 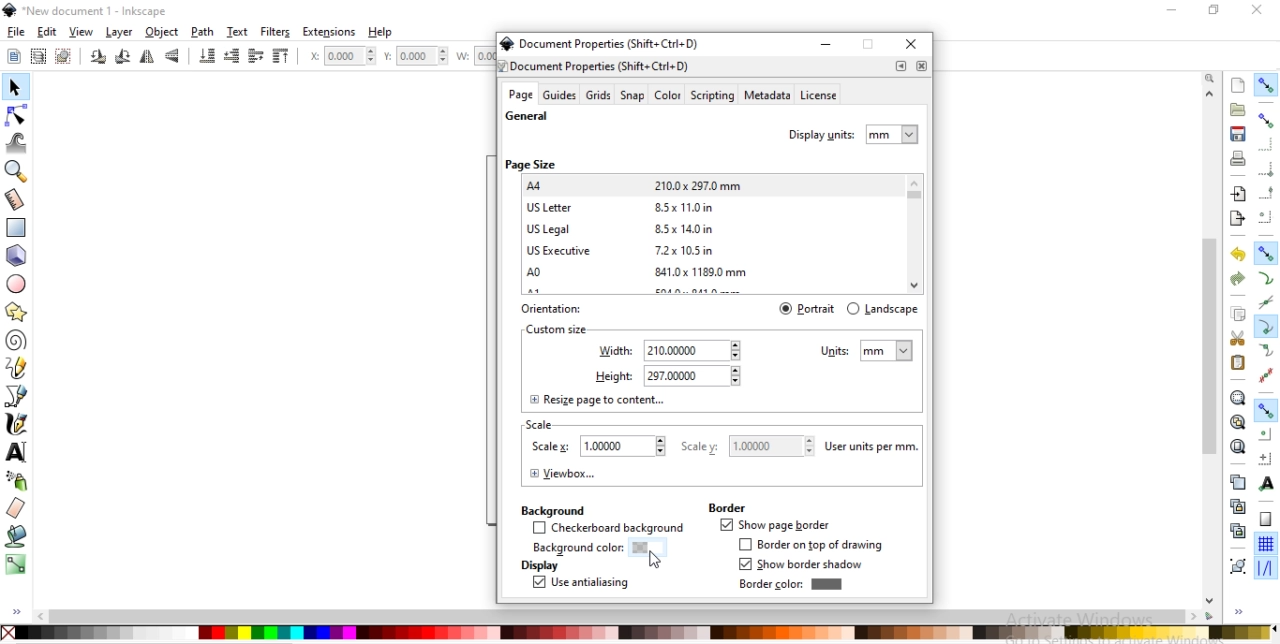 What do you see at coordinates (601, 446) in the screenshot?
I see `scale X` at bounding box center [601, 446].